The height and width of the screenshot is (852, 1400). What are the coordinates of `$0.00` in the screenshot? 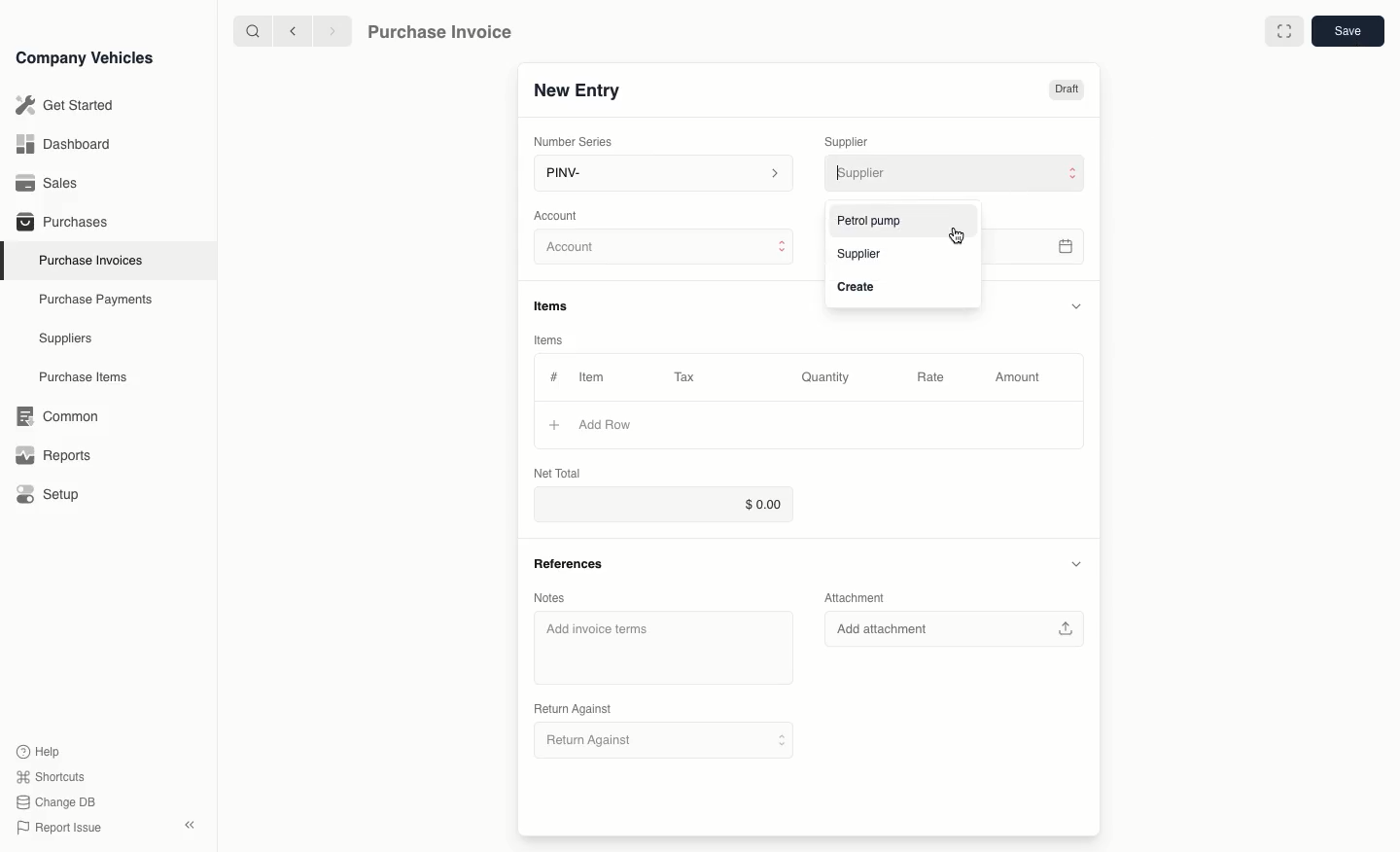 It's located at (662, 503).